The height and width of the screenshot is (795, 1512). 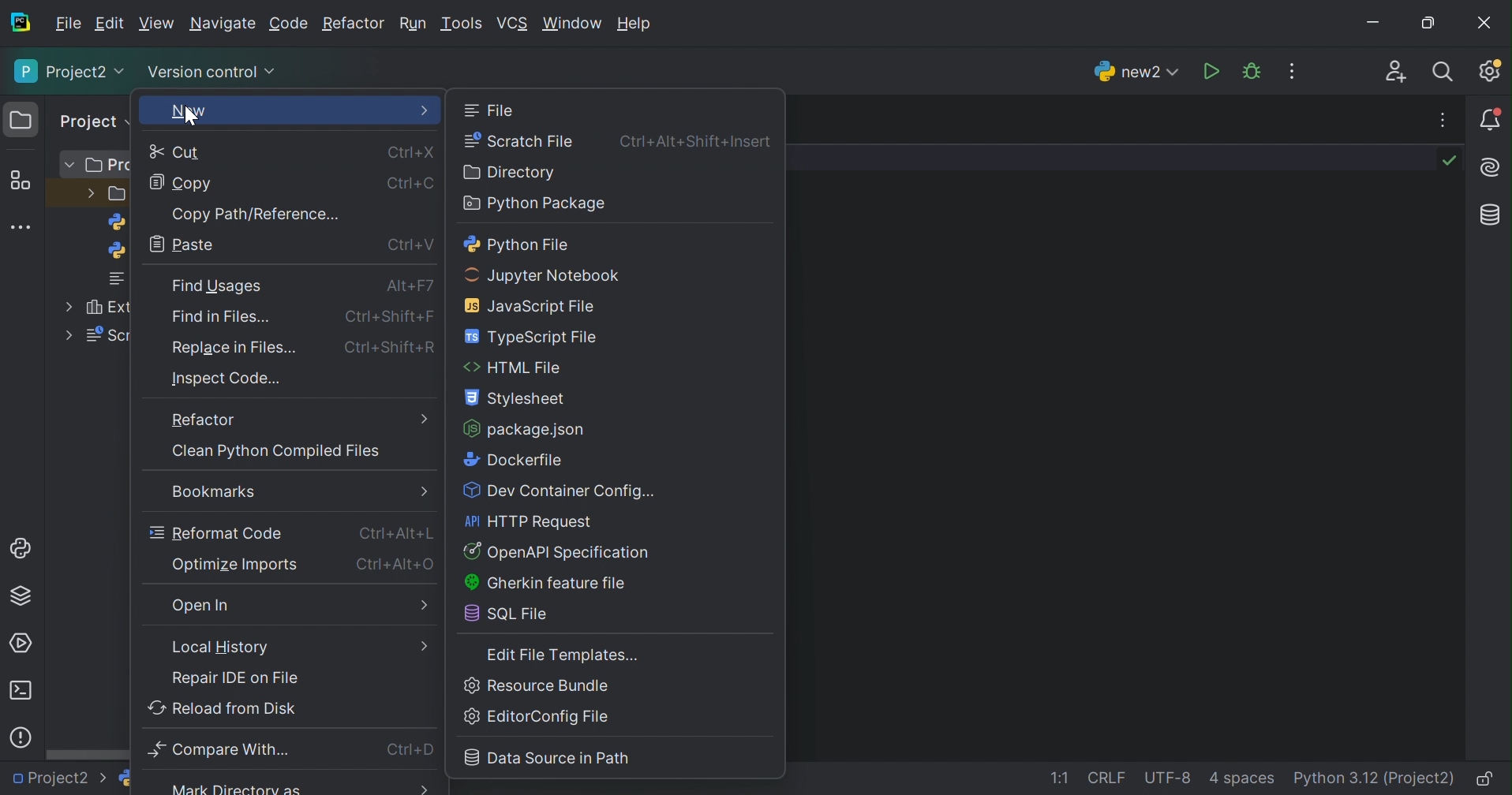 What do you see at coordinates (397, 534) in the screenshot?
I see `Ctrl+Alt+L` at bounding box center [397, 534].